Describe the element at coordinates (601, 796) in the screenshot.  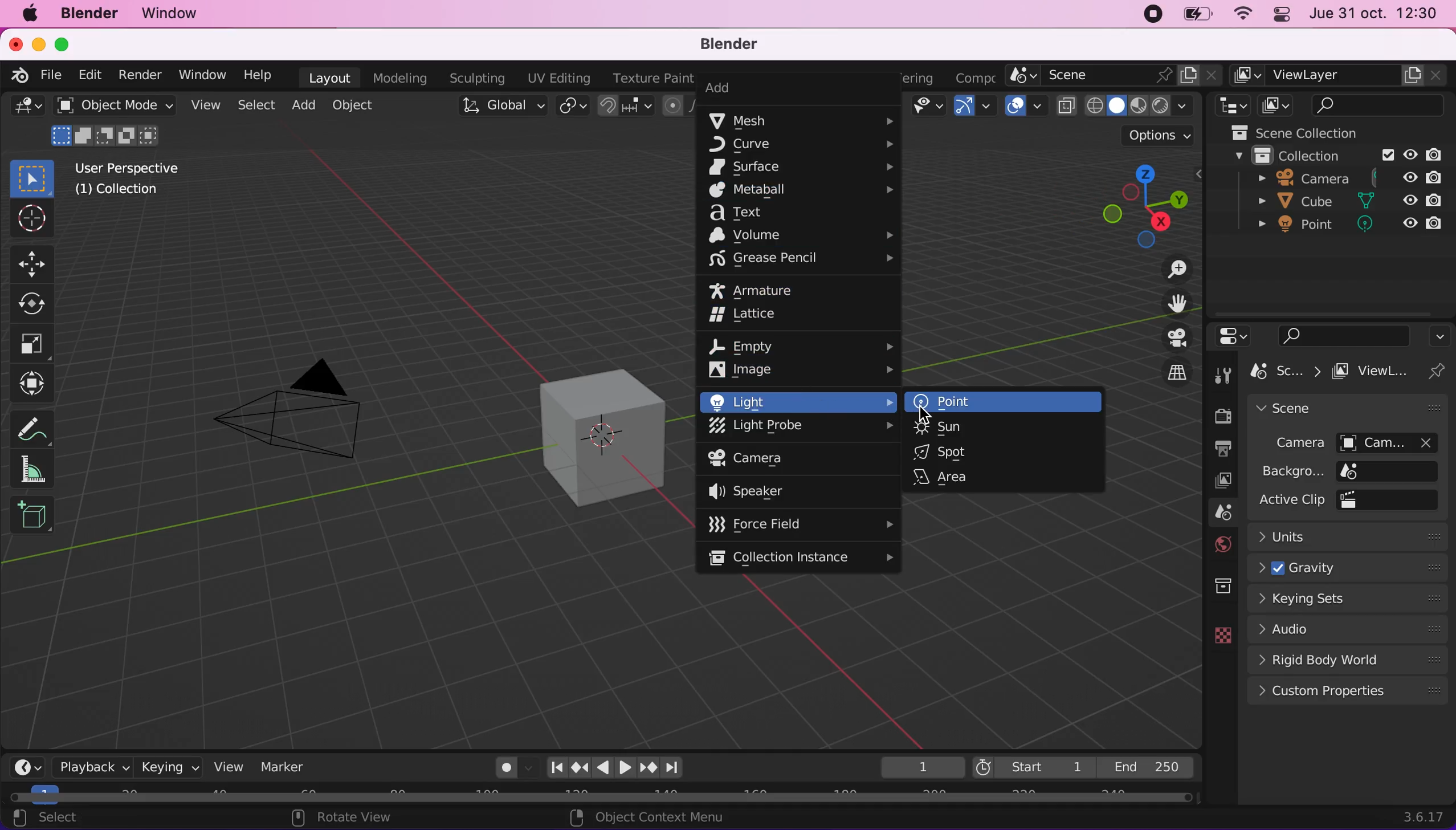
I see `horizontal slider` at that location.